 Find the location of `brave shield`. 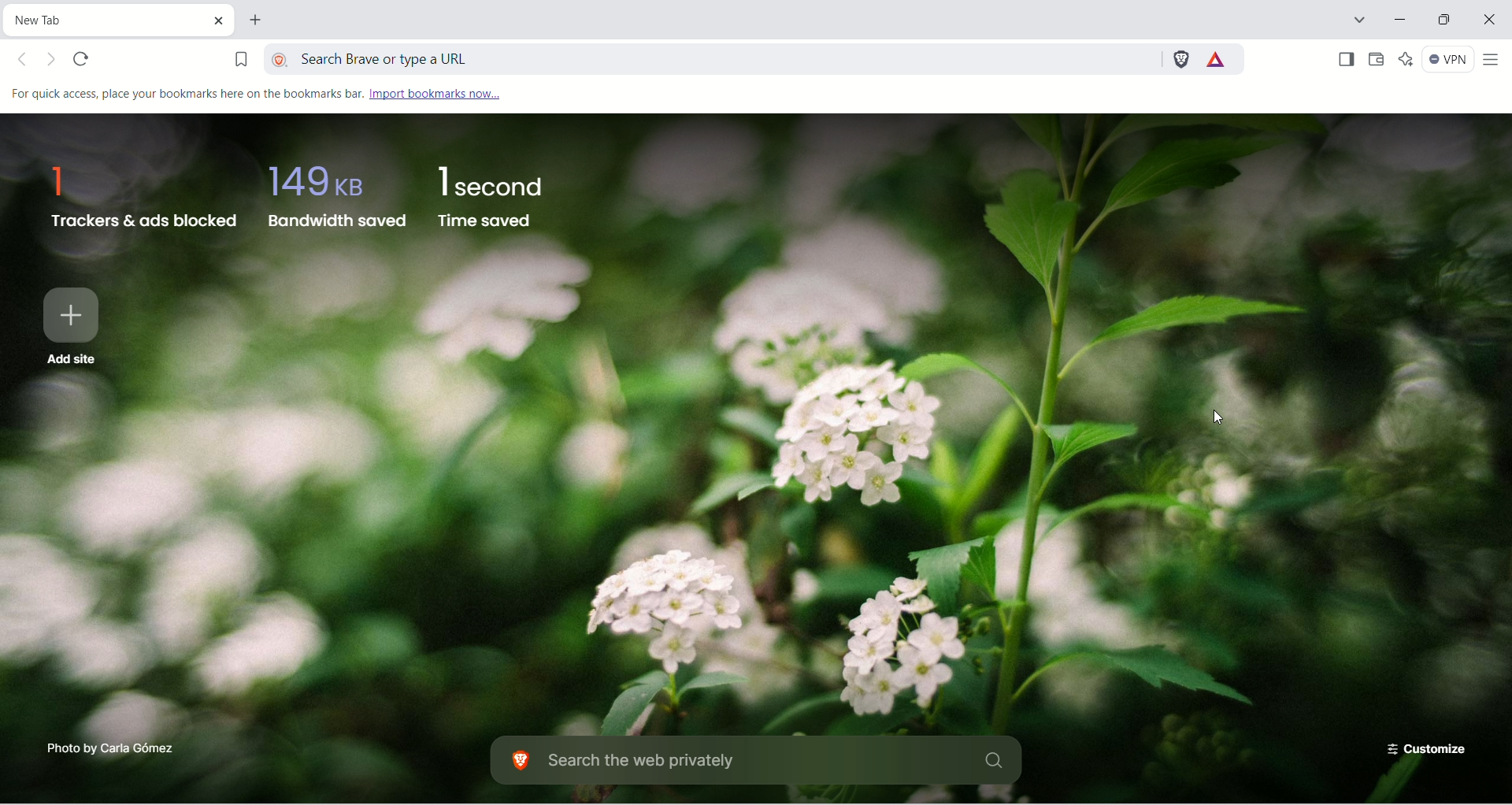

brave shield is located at coordinates (1182, 63).